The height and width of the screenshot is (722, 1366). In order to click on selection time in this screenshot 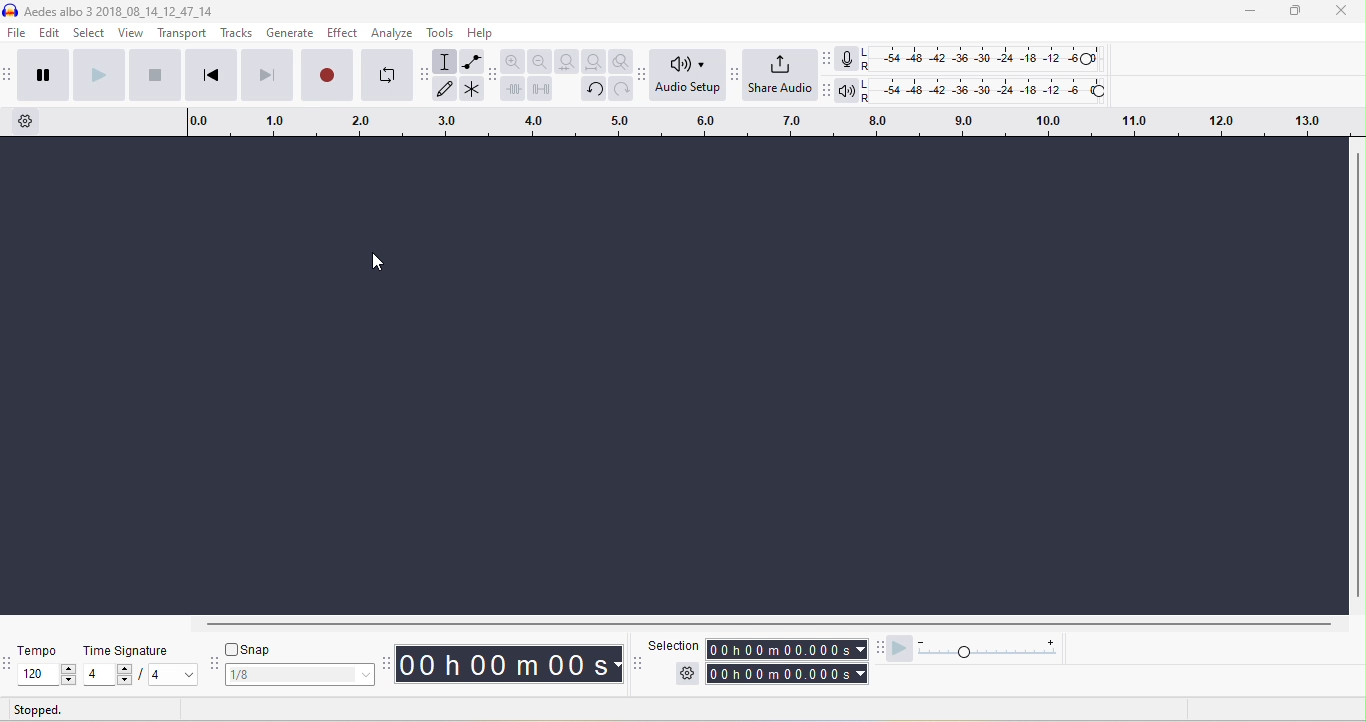, I will do `click(778, 650)`.